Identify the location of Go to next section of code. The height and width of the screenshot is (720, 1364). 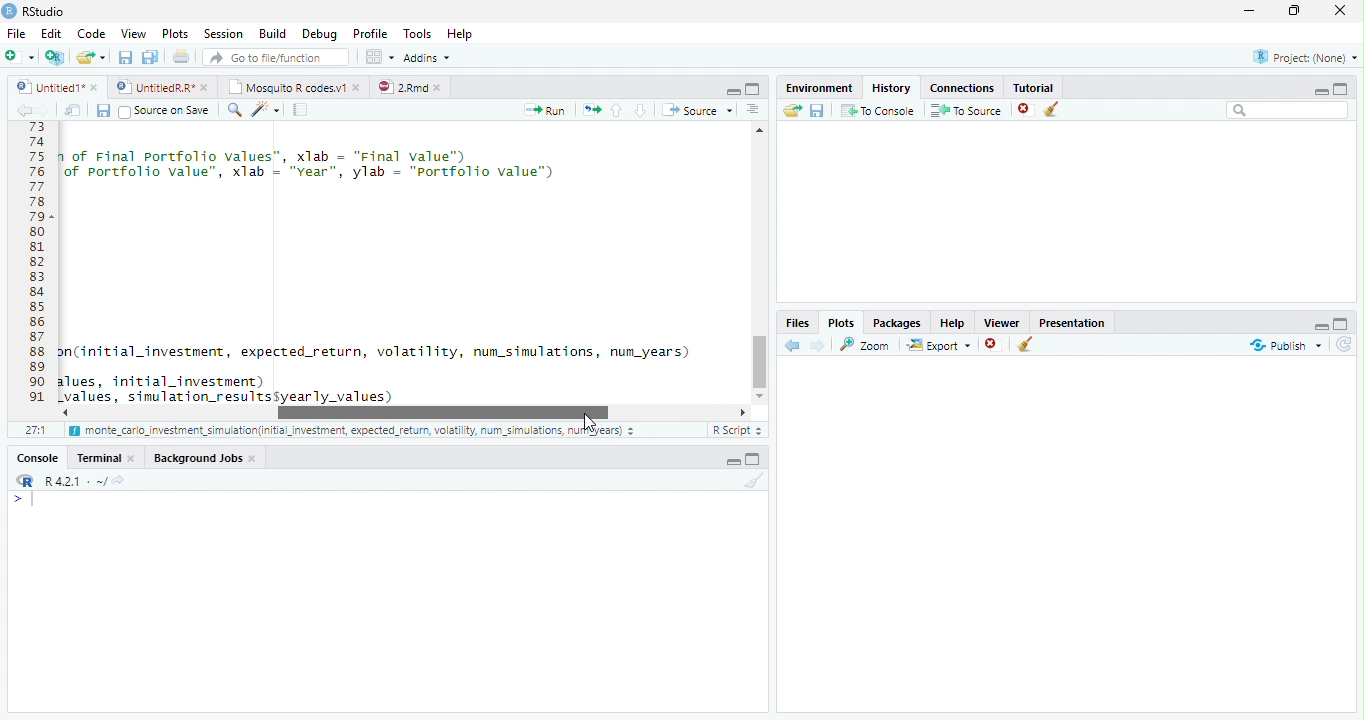
(642, 111).